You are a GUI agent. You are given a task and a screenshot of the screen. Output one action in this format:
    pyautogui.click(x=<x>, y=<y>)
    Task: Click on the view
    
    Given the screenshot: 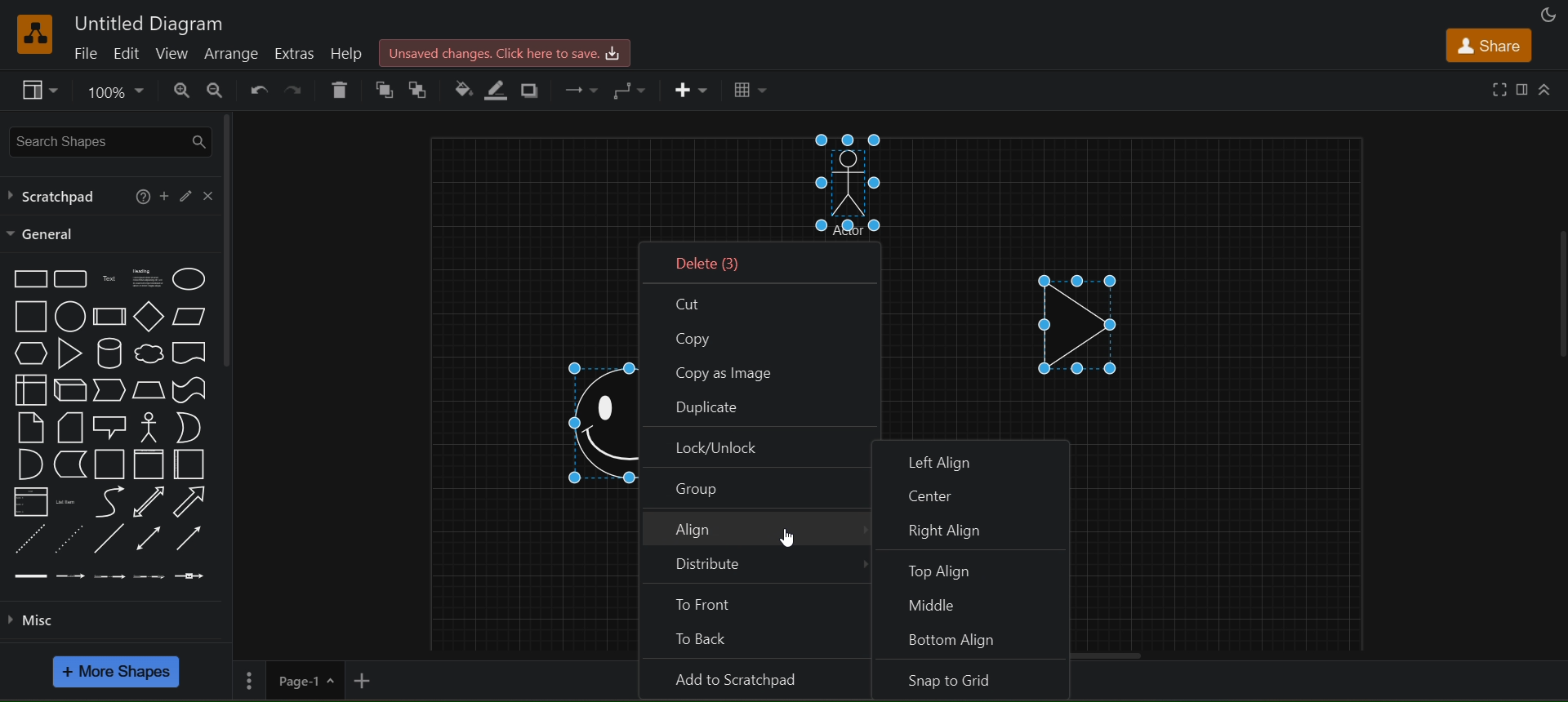 What is the action you would take?
    pyautogui.click(x=38, y=88)
    